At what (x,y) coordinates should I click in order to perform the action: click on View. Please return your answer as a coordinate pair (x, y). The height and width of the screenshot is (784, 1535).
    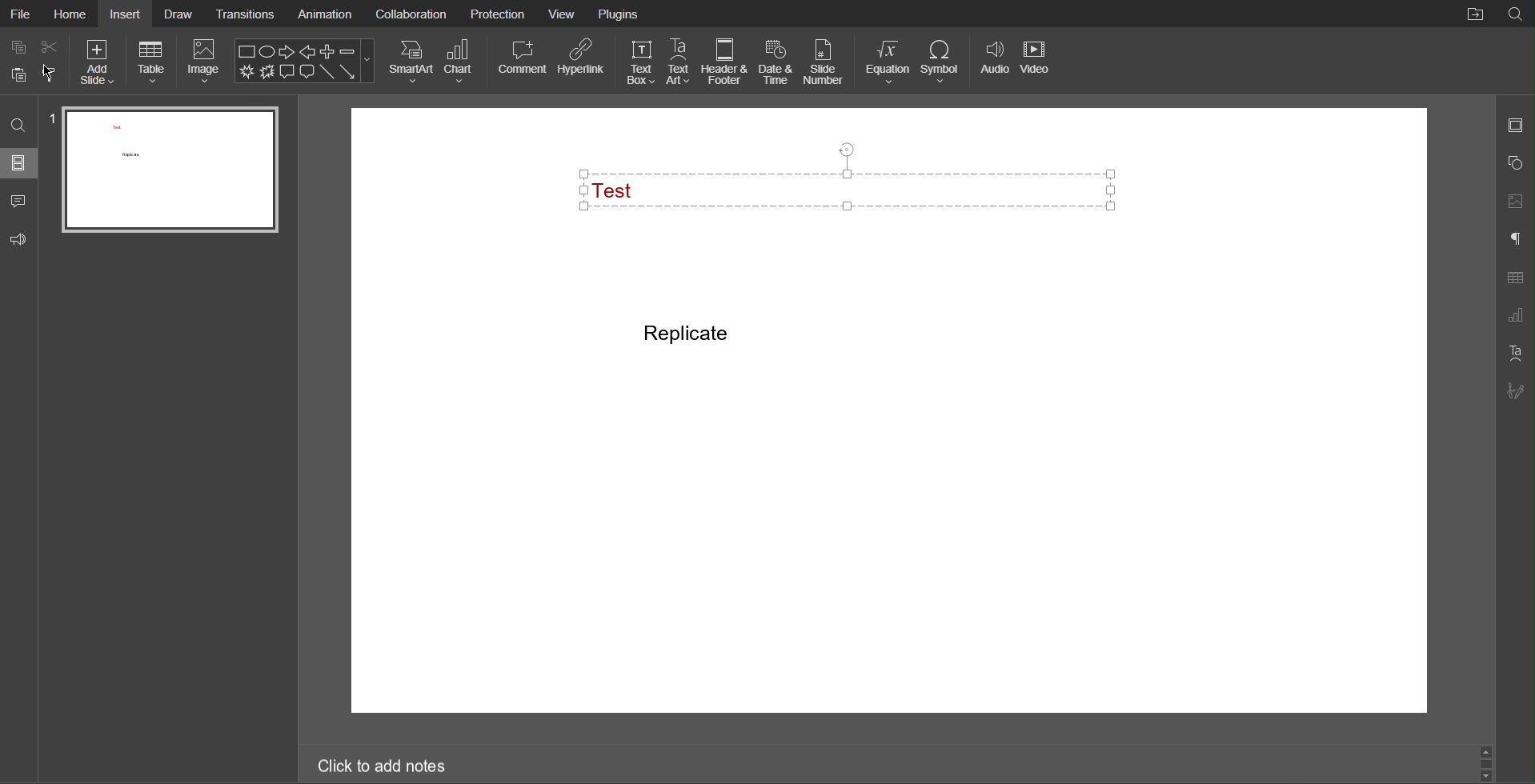
    Looking at the image, I should click on (563, 14).